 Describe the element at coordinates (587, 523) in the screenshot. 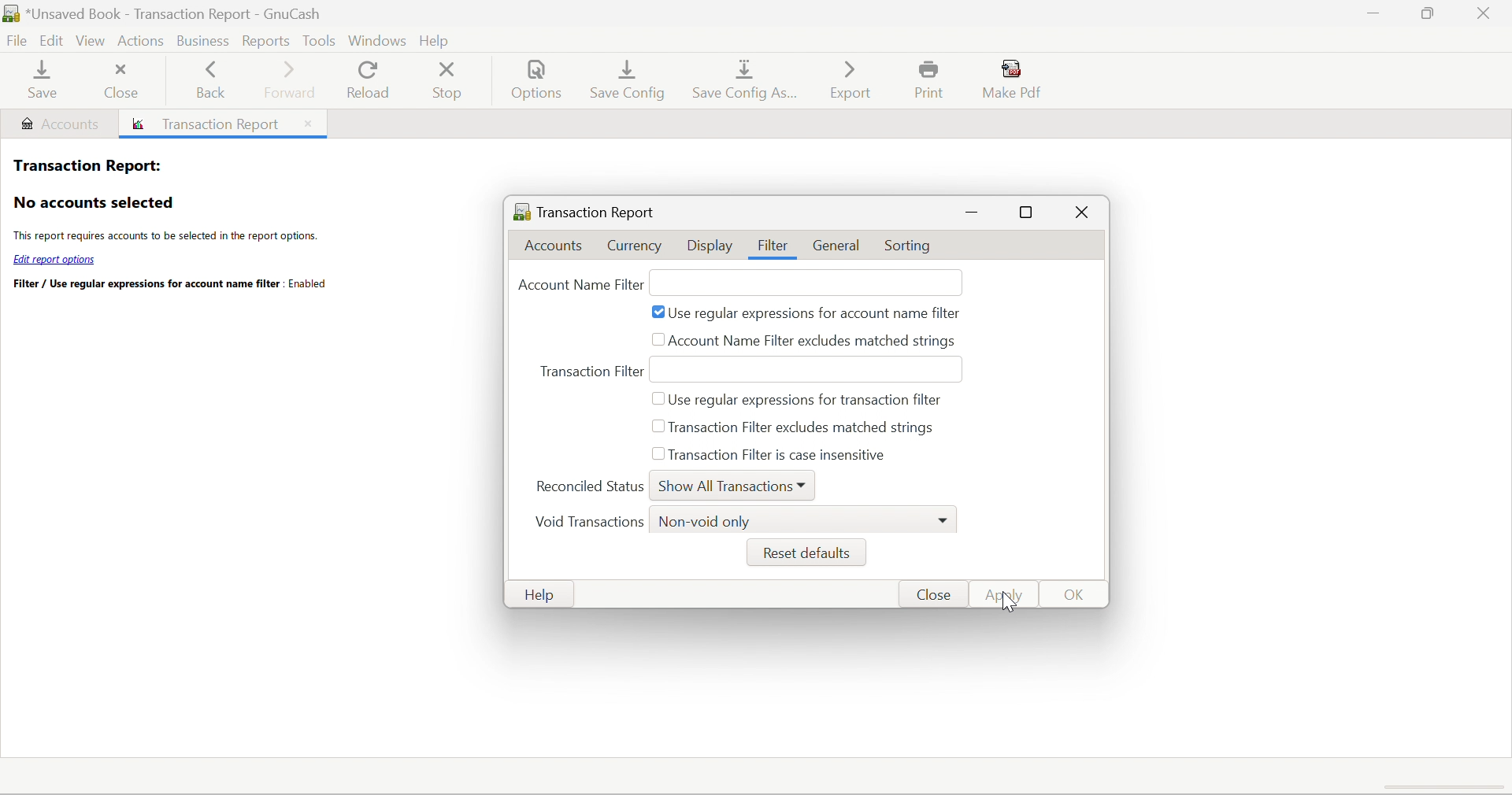

I see `Void Transactions` at that location.